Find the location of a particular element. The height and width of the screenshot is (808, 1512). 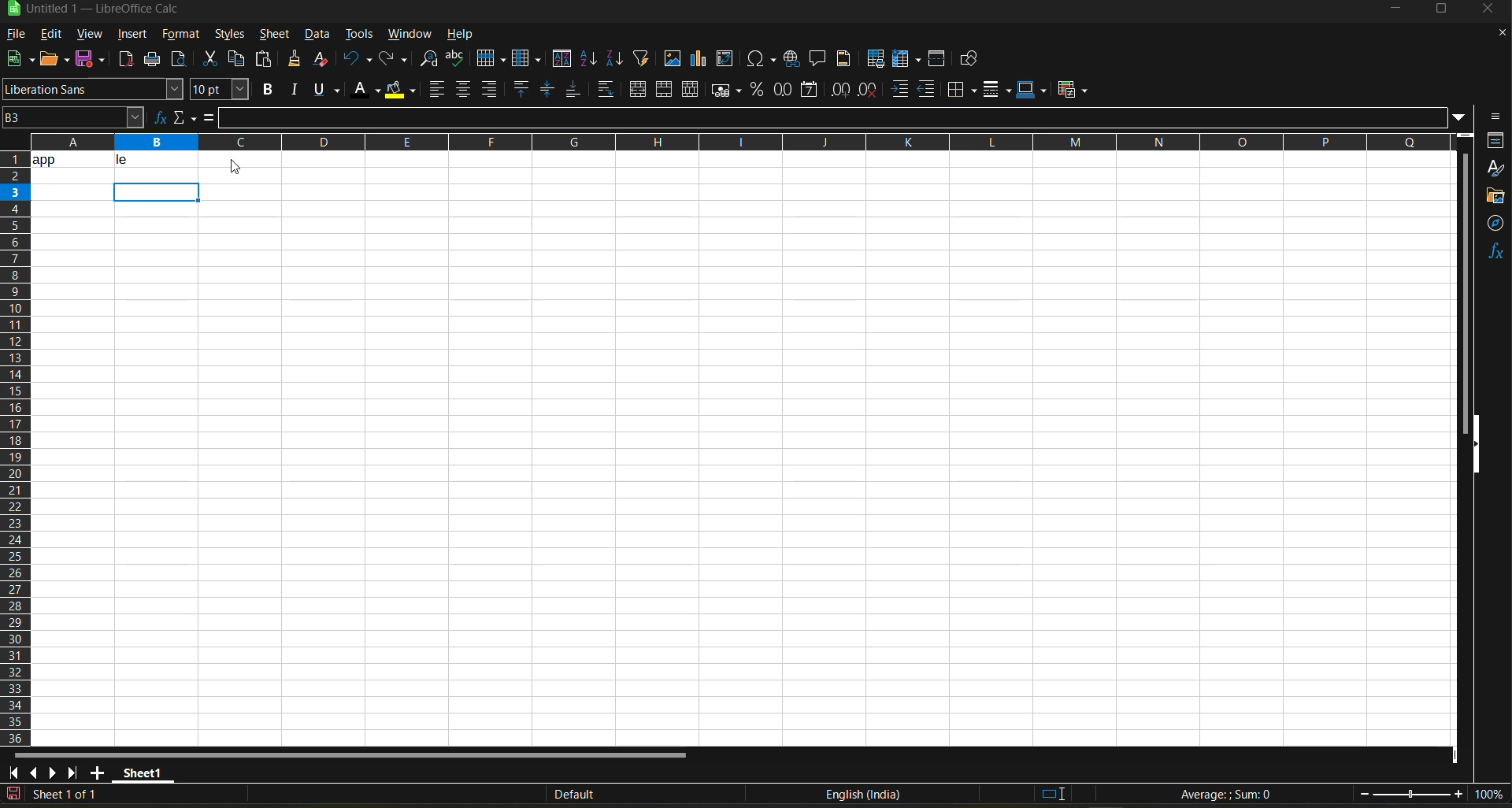

scroll to last sheet is located at coordinates (73, 773).